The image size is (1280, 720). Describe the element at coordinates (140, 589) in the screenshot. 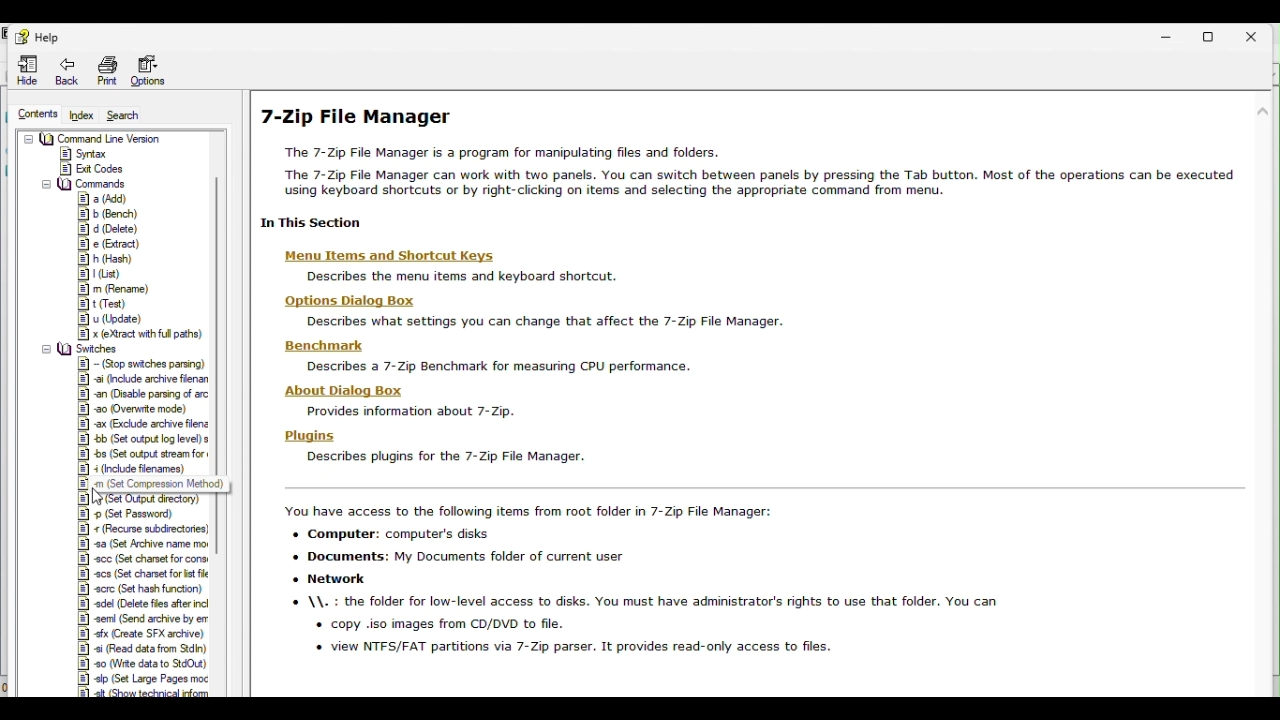

I see `scrc` at that location.